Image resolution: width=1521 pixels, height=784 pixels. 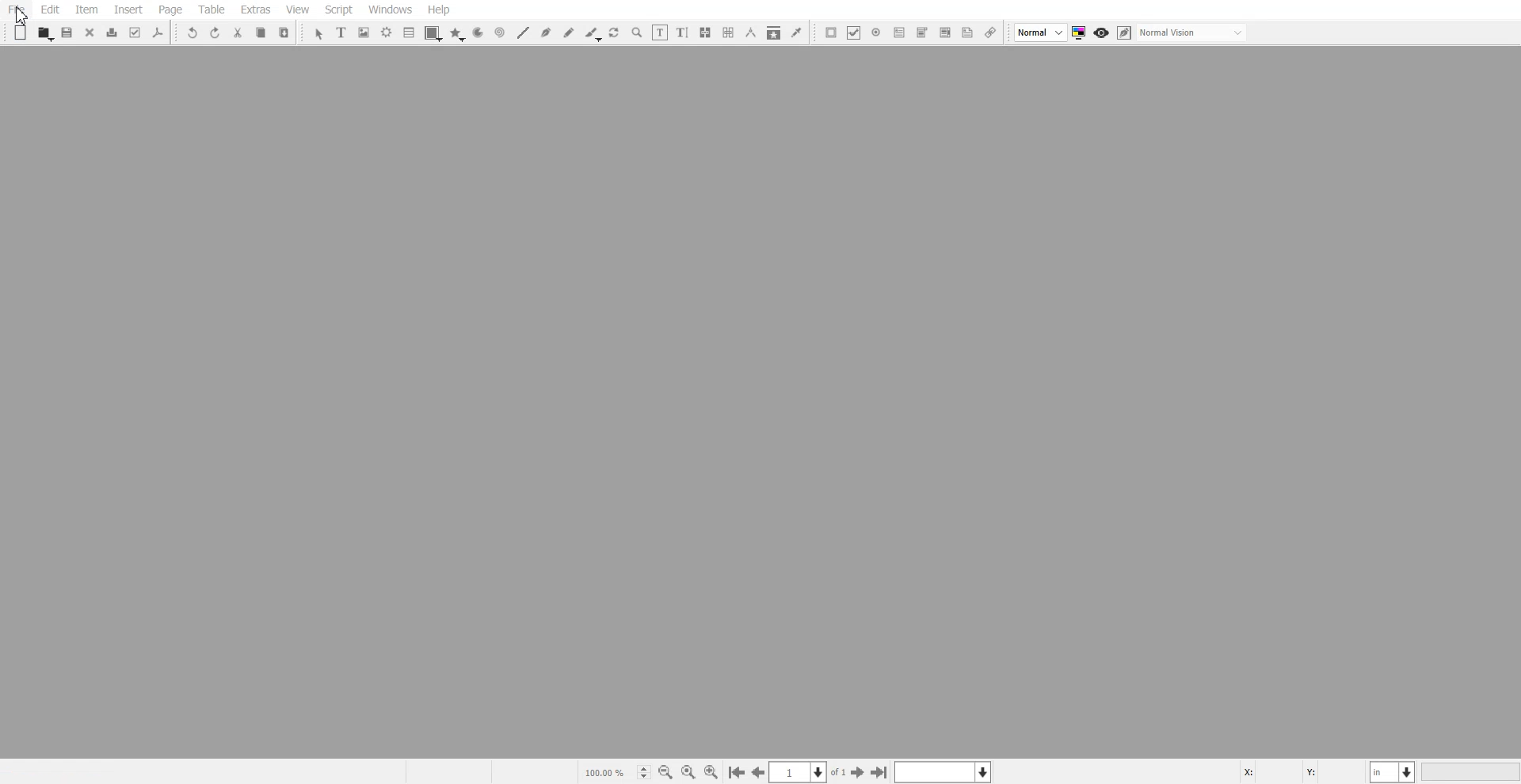 What do you see at coordinates (215, 32) in the screenshot?
I see `Redo` at bounding box center [215, 32].